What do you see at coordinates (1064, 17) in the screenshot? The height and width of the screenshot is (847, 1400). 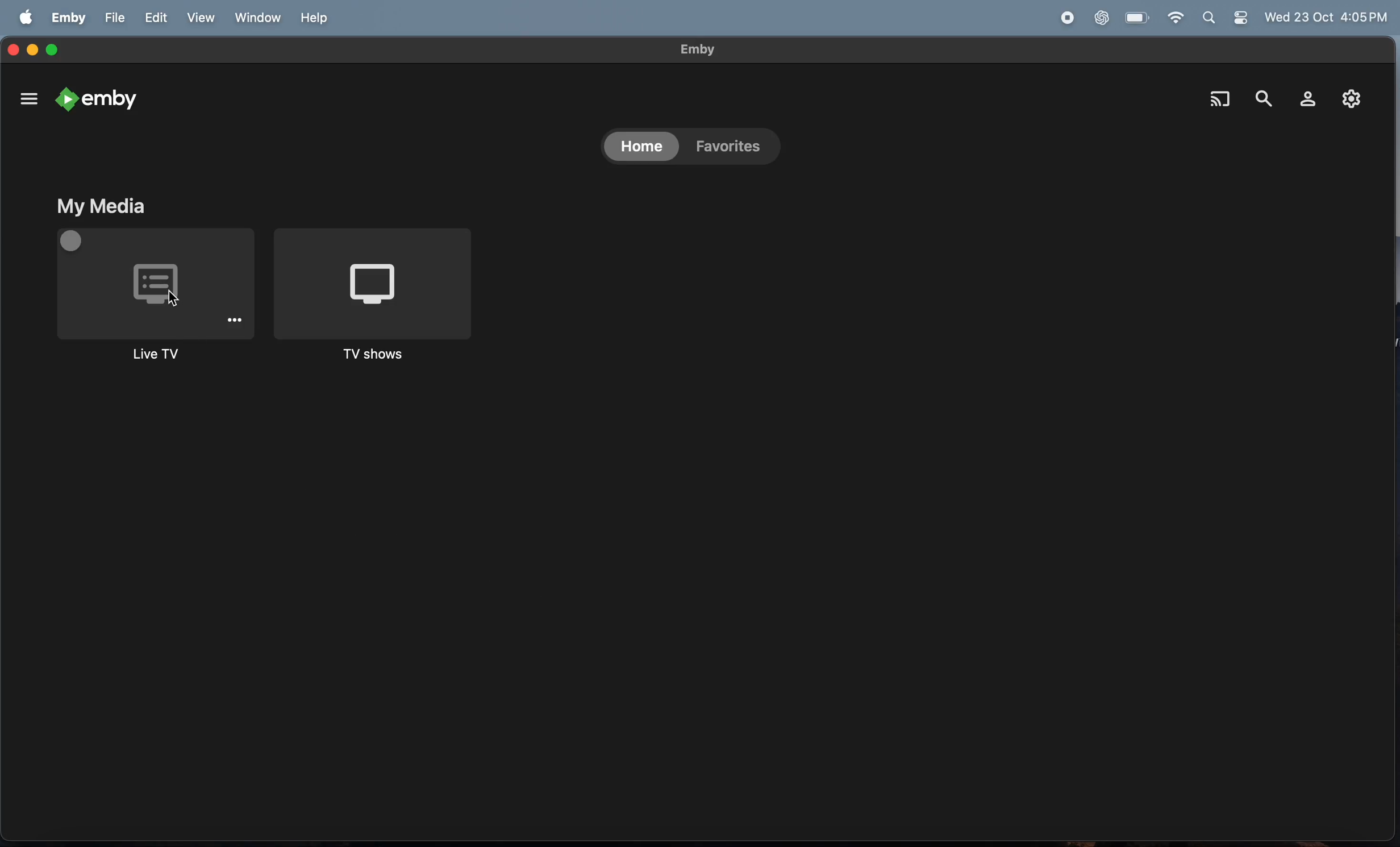 I see `record` at bounding box center [1064, 17].